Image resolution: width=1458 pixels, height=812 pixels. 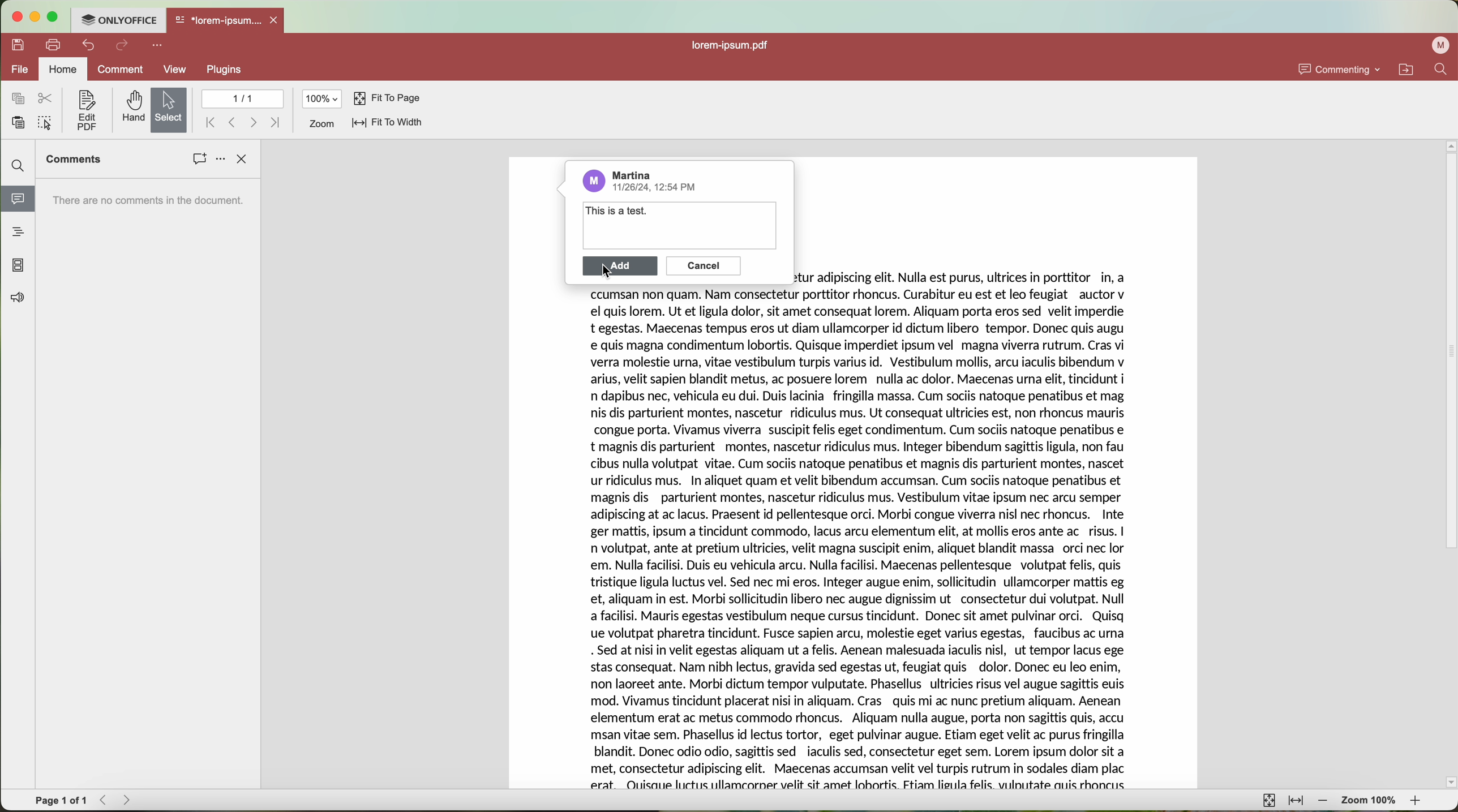 What do you see at coordinates (734, 46) in the screenshot?
I see `file name` at bounding box center [734, 46].